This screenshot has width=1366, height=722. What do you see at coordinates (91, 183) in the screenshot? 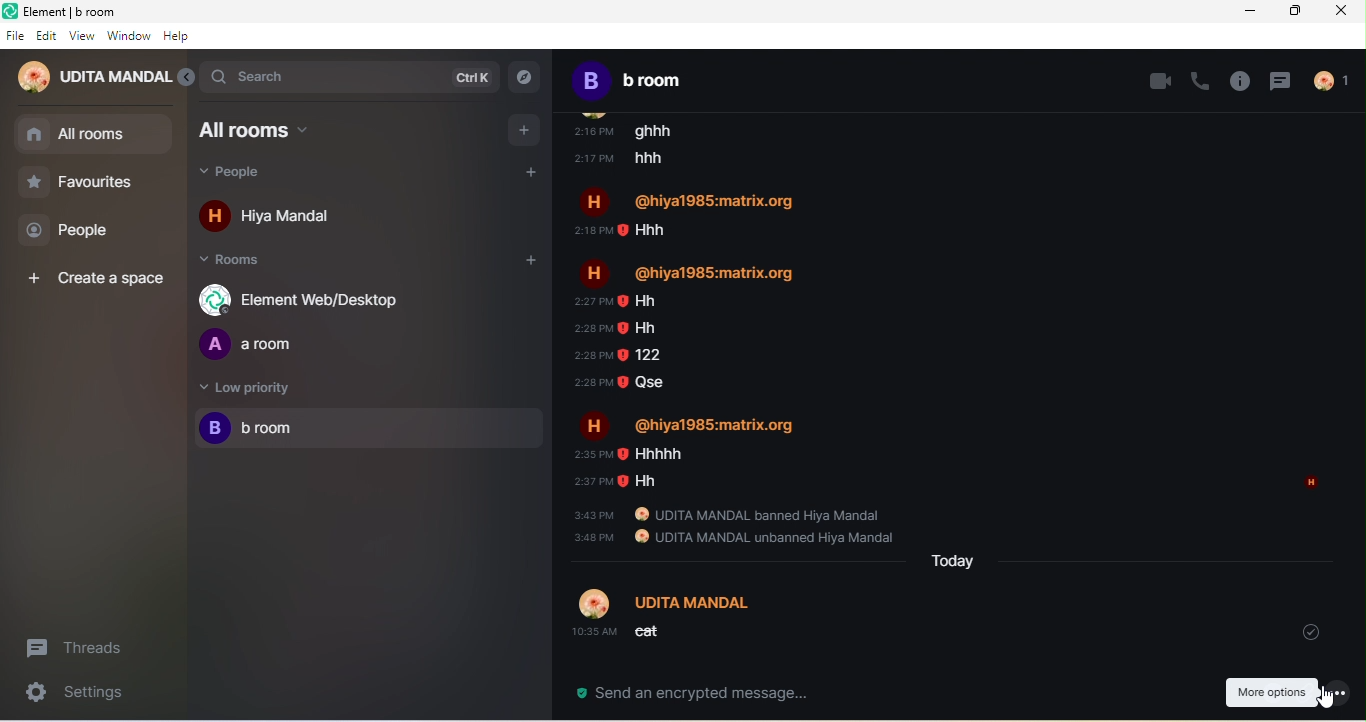
I see `favourites` at bounding box center [91, 183].